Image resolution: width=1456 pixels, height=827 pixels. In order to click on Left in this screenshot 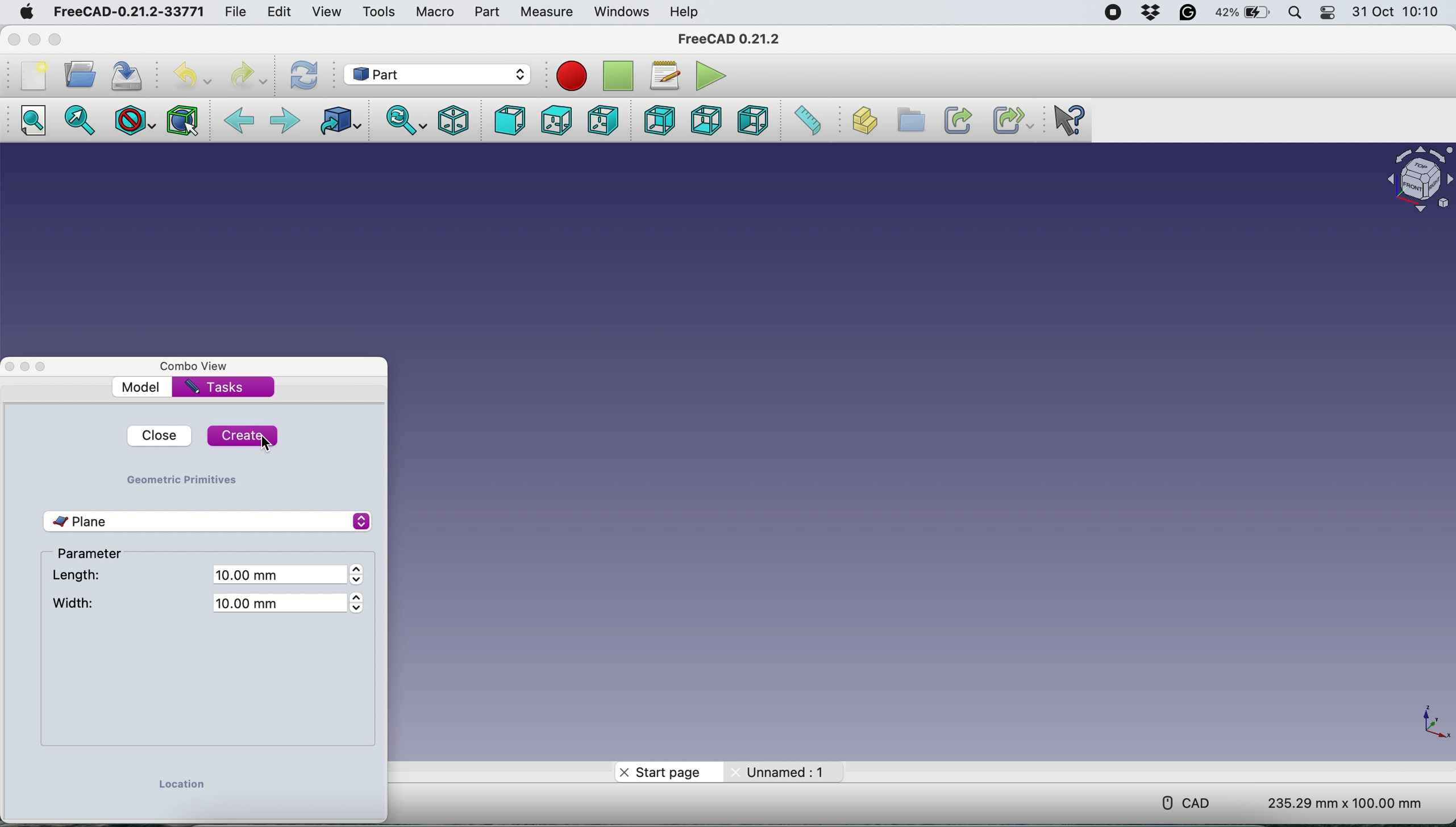, I will do `click(753, 120)`.